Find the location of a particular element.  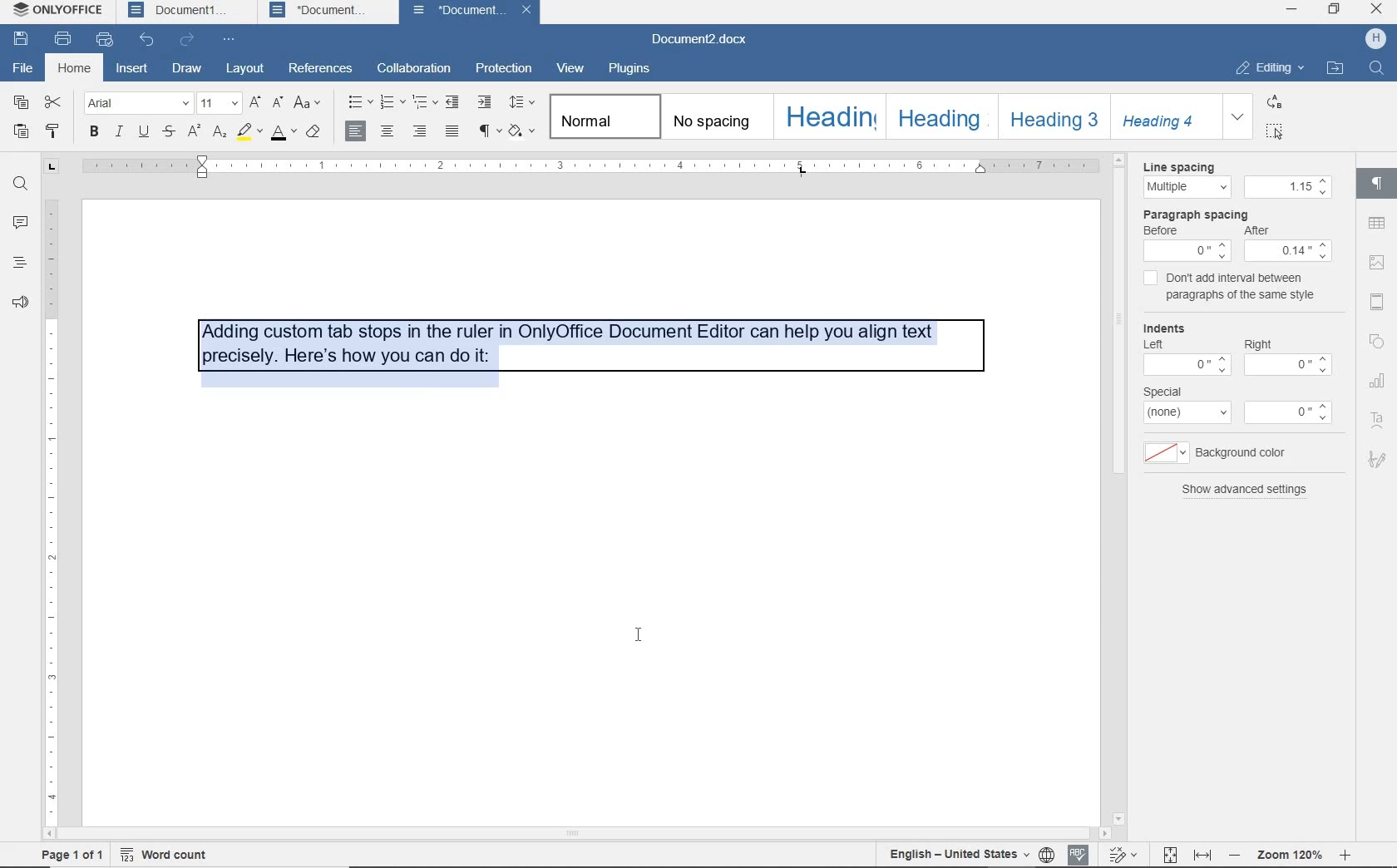

copy style is located at coordinates (51, 131).